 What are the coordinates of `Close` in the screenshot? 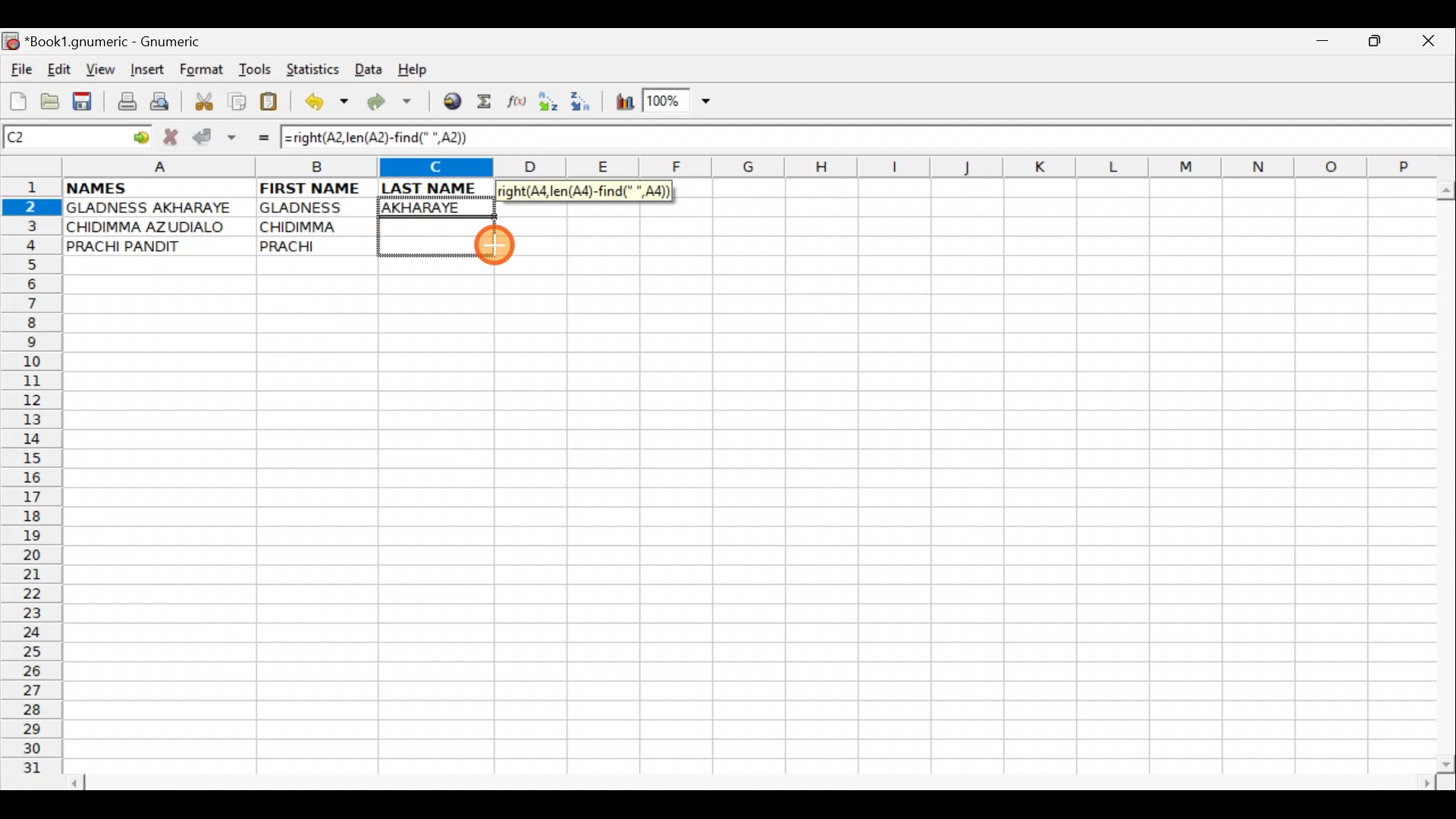 It's located at (1432, 45).